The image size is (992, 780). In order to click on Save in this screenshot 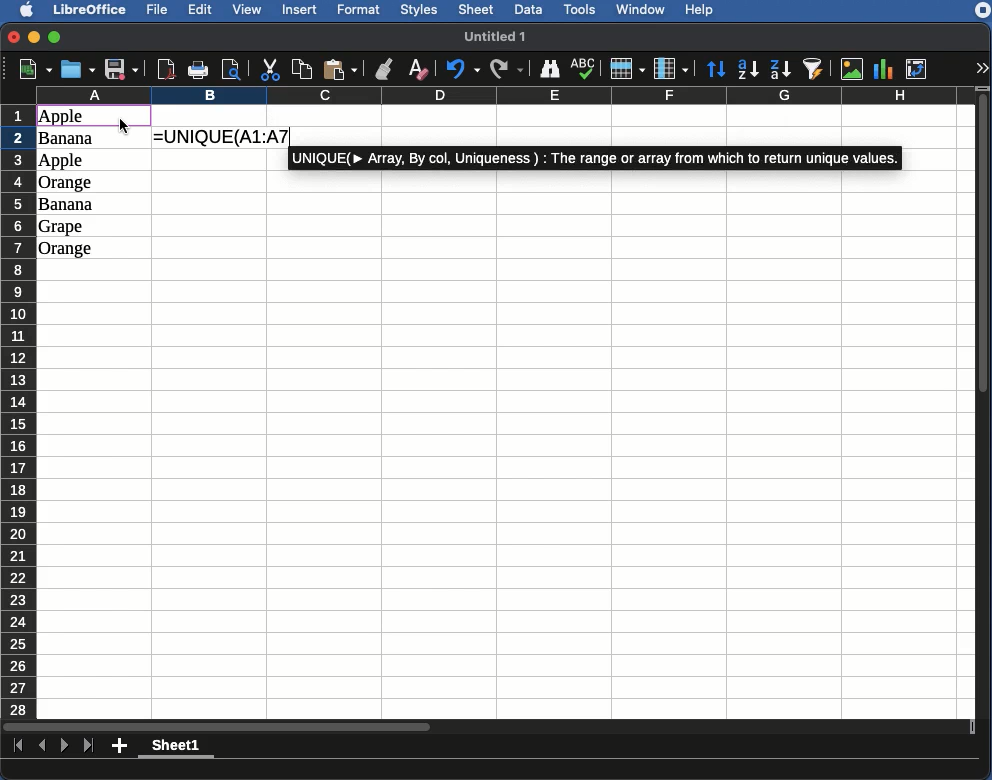, I will do `click(121, 69)`.